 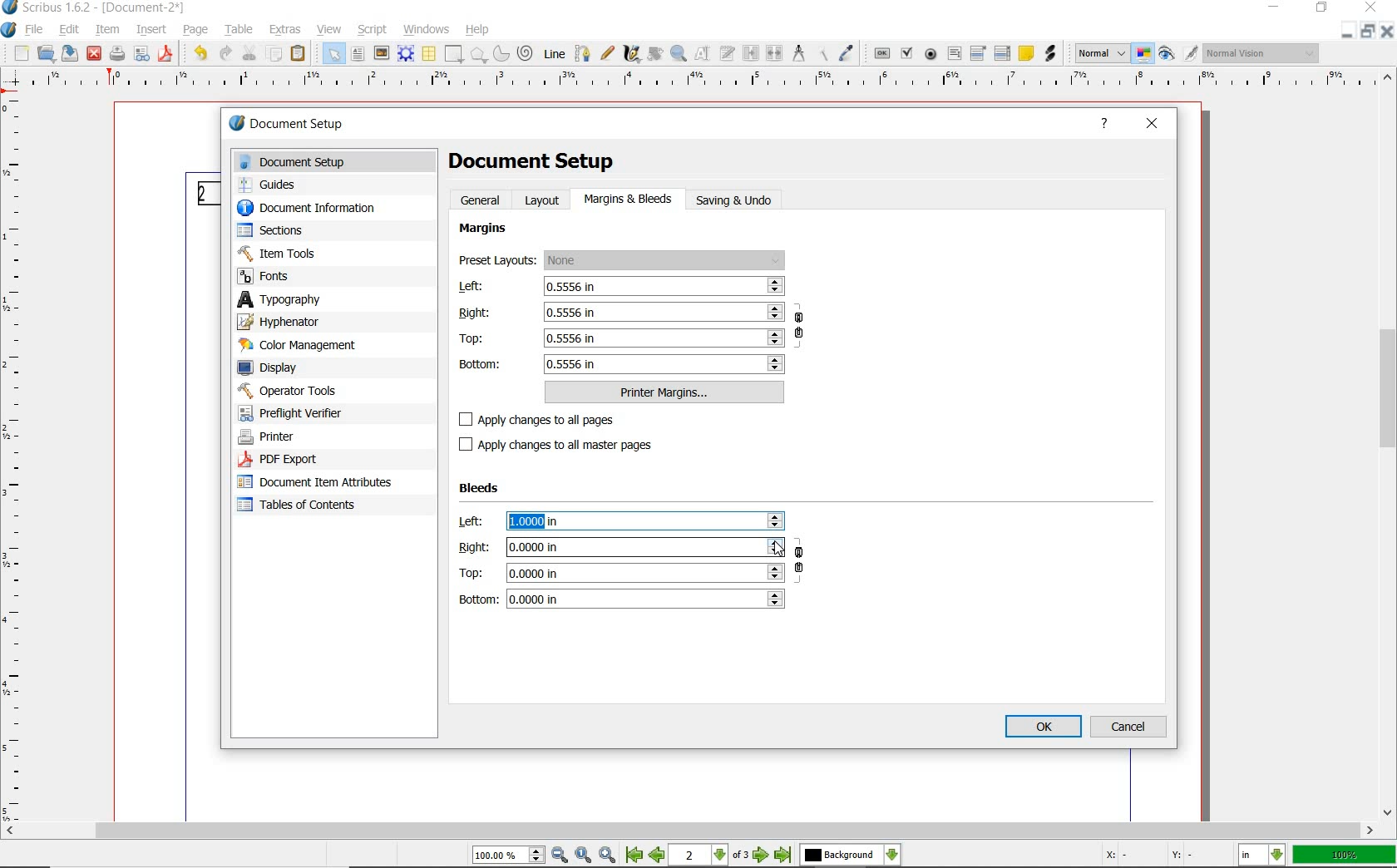 What do you see at coordinates (1154, 121) in the screenshot?
I see `close` at bounding box center [1154, 121].